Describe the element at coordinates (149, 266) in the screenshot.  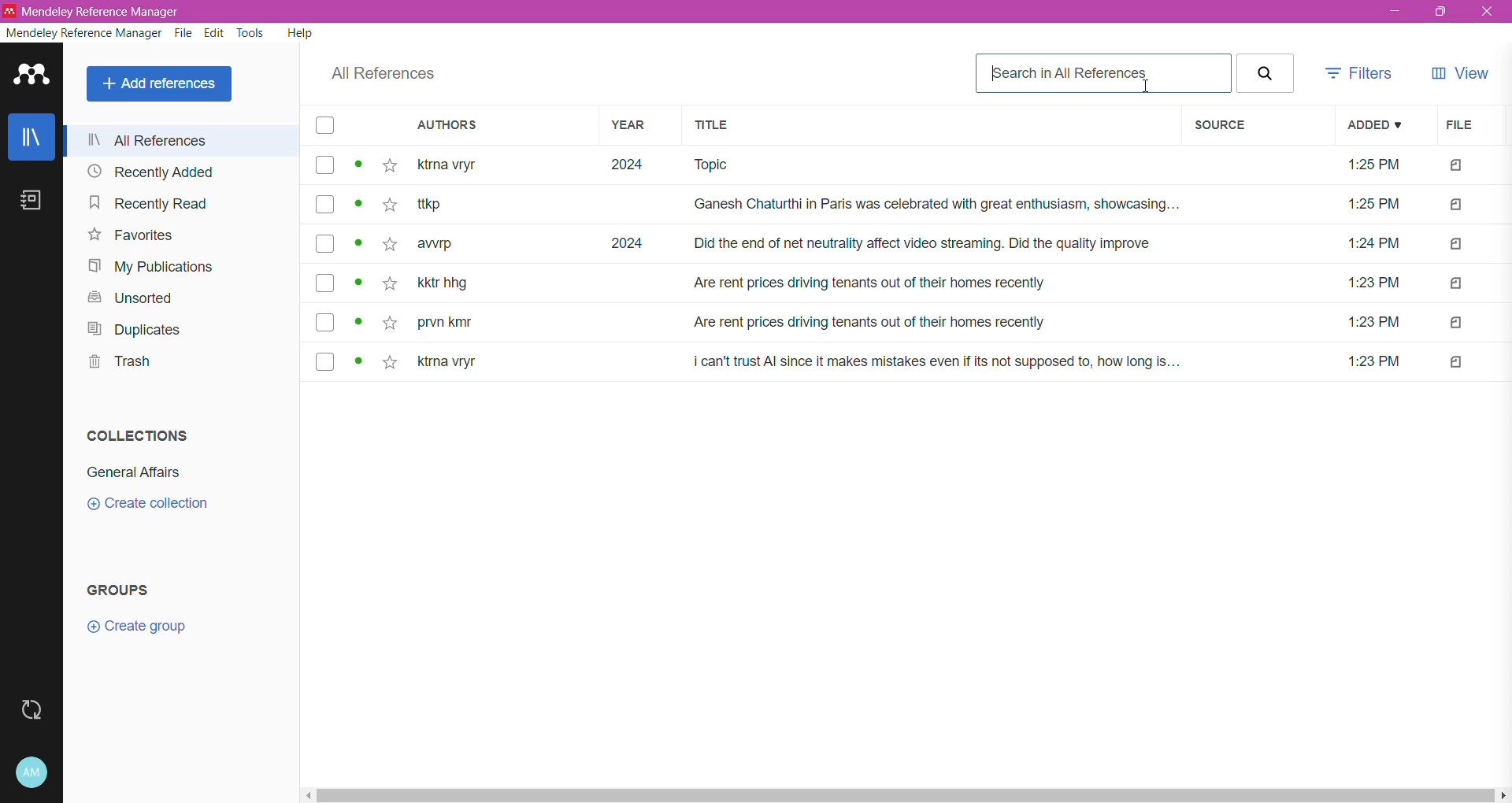
I see `My Publications` at that location.